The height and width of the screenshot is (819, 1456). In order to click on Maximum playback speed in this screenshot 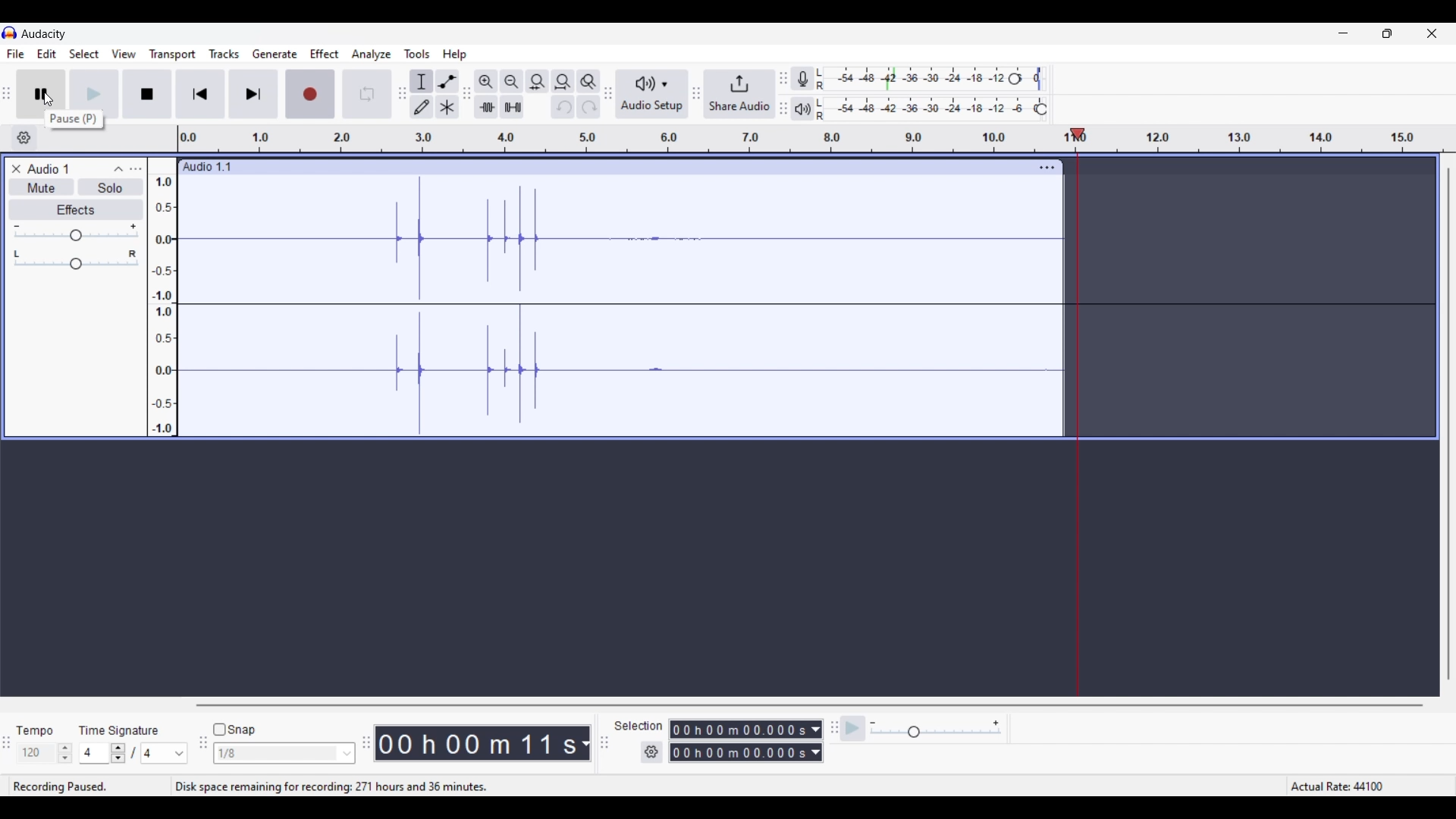, I will do `click(996, 723)`.